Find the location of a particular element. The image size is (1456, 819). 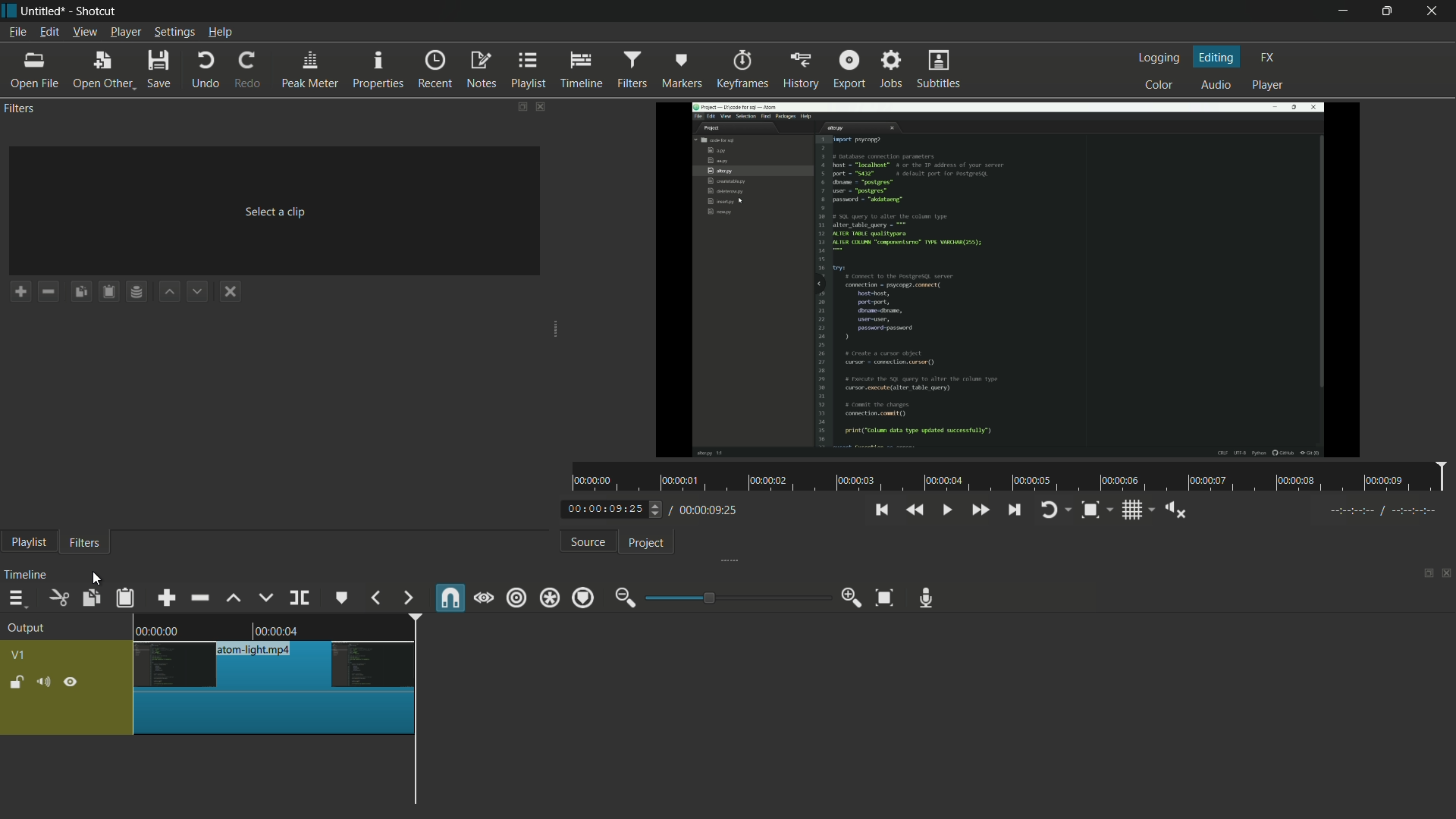

video has been cut at playhead is located at coordinates (280, 688).